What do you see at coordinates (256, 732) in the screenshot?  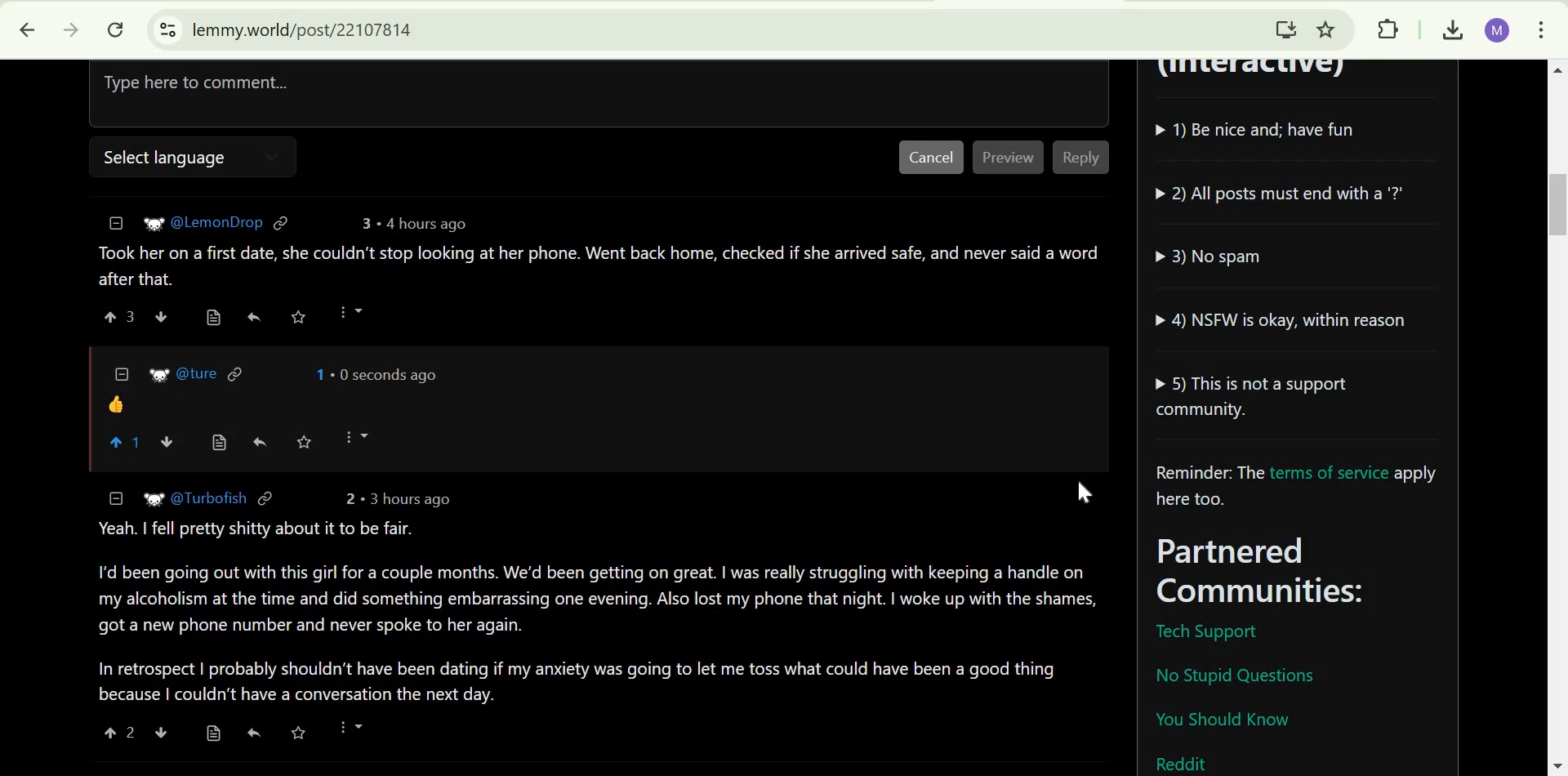 I see `share` at bounding box center [256, 732].